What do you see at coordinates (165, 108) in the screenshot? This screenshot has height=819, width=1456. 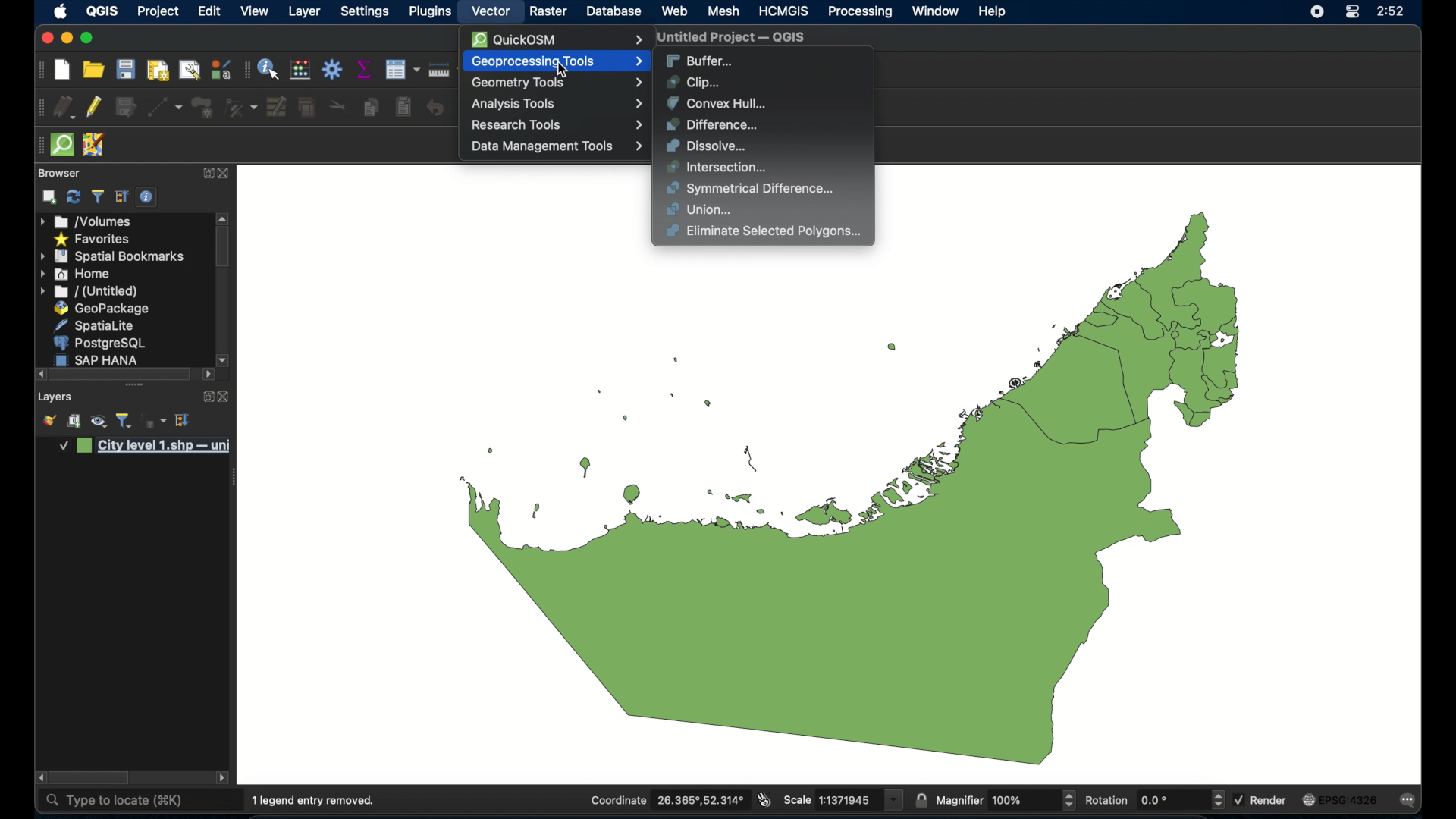 I see `digitize with segment` at bounding box center [165, 108].